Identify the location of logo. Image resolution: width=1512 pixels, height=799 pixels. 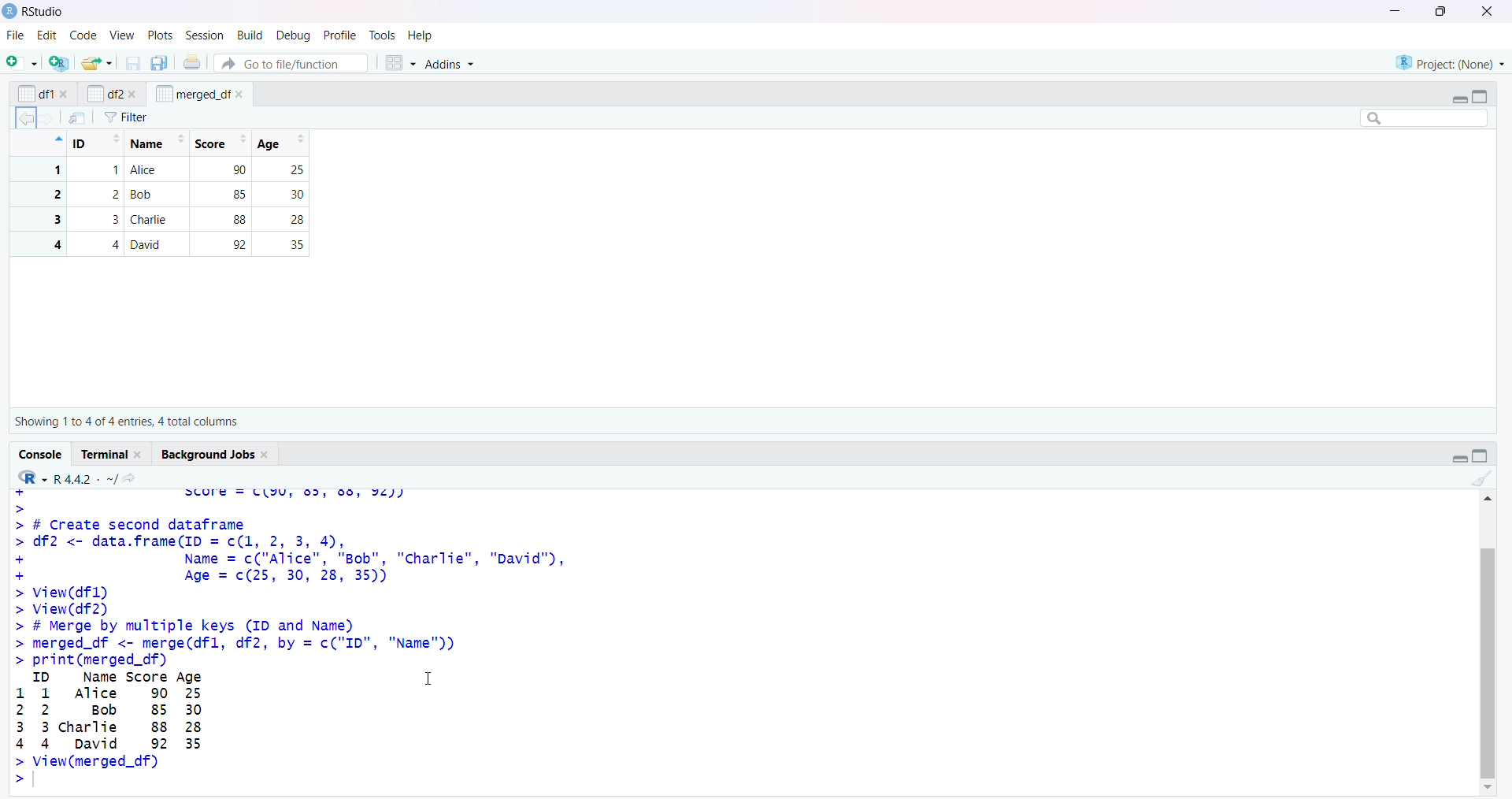
(11, 12).